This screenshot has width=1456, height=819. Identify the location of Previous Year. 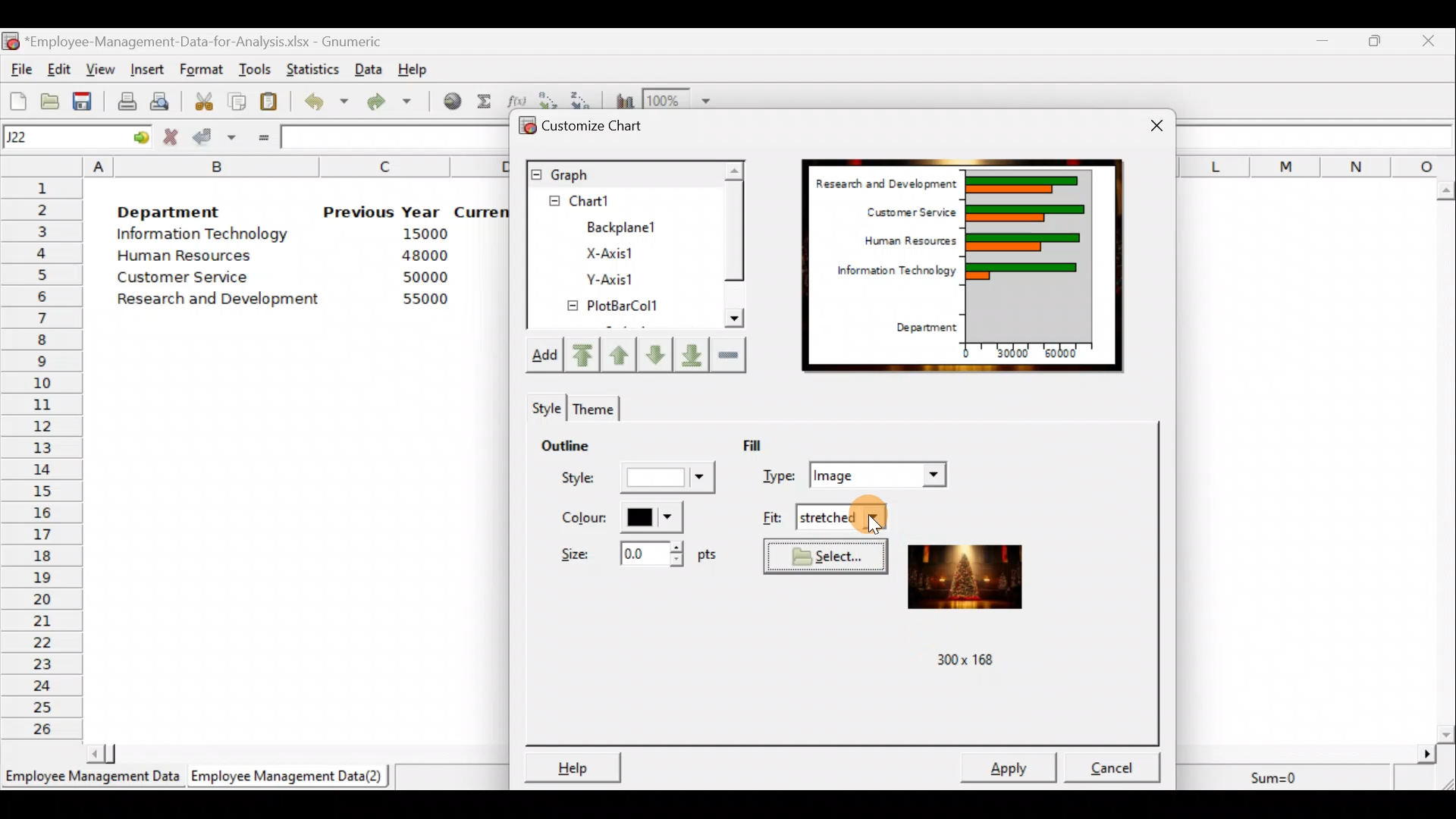
(383, 211).